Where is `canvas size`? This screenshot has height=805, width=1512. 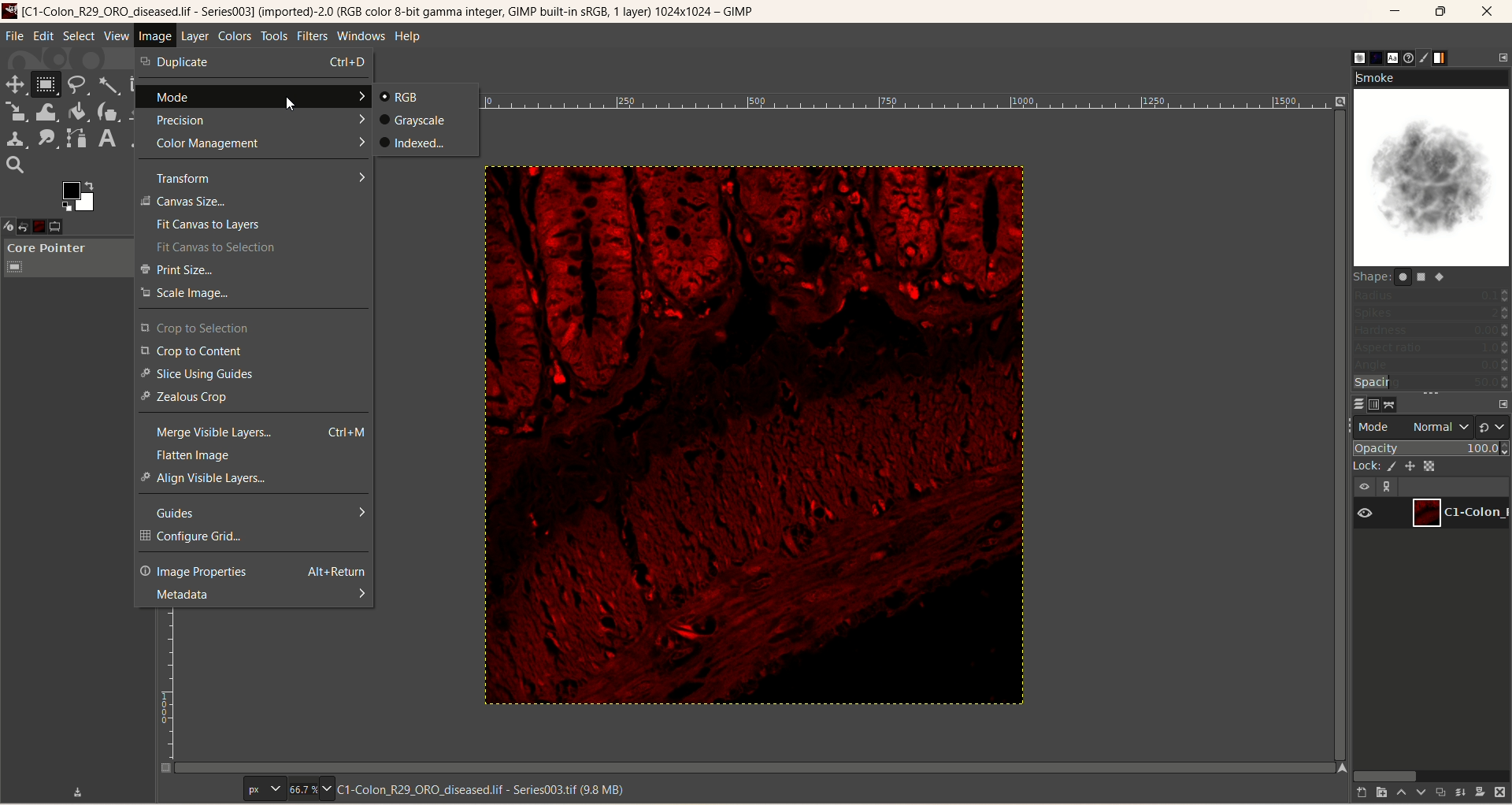 canvas size is located at coordinates (253, 202).